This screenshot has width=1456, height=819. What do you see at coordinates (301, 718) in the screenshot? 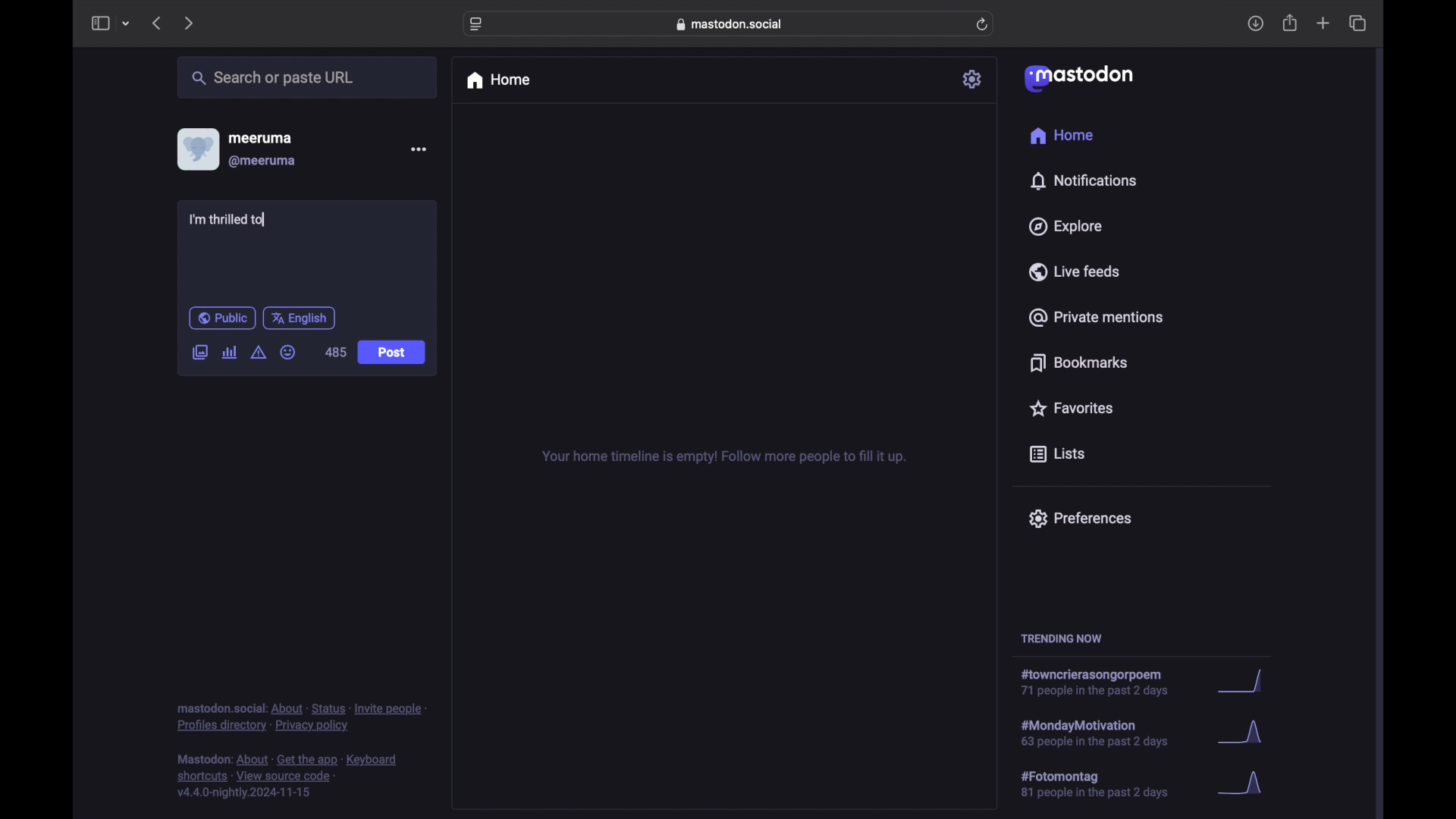
I see `footnote` at bounding box center [301, 718].